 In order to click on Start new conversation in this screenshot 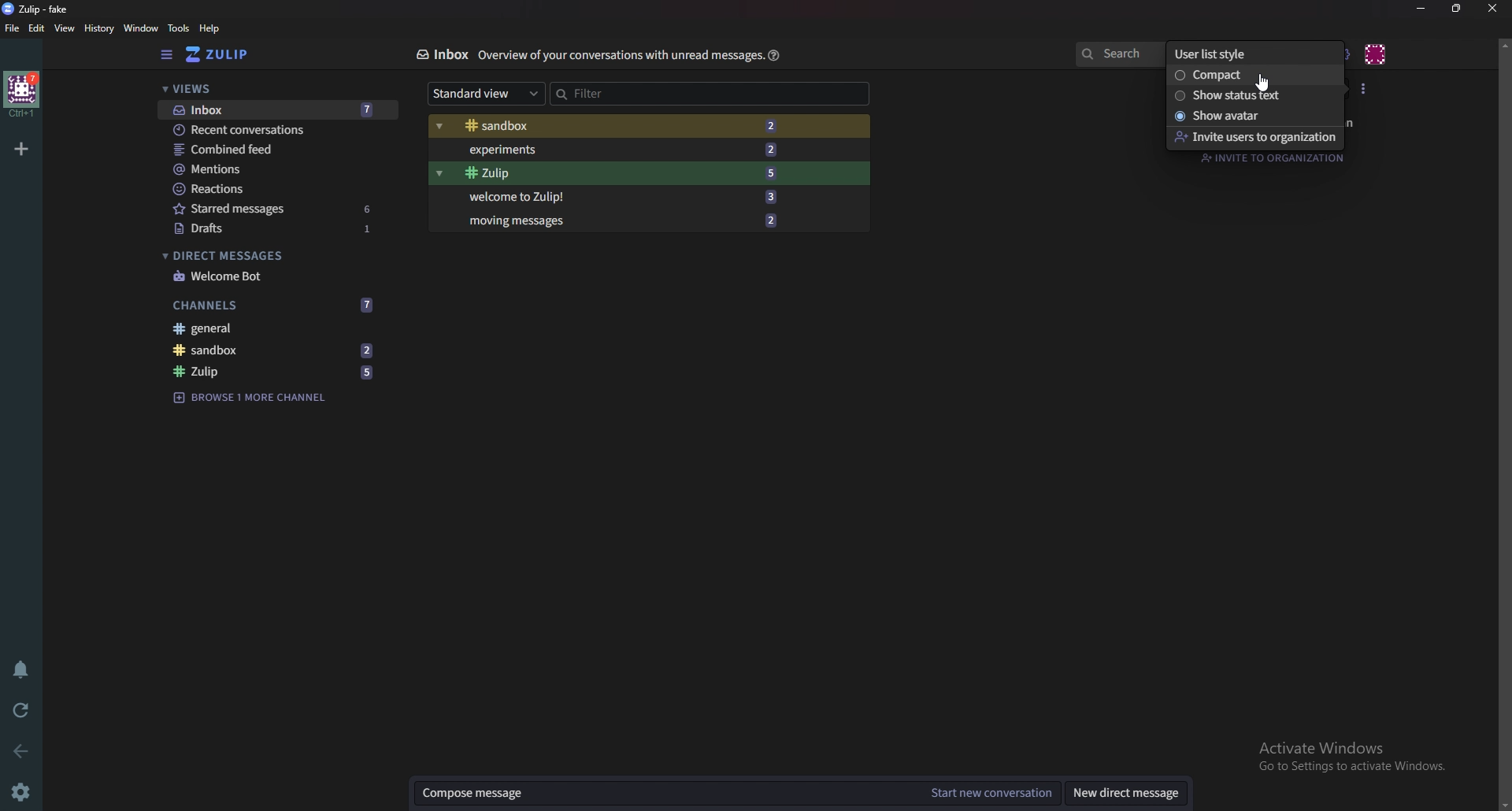, I will do `click(989, 794)`.